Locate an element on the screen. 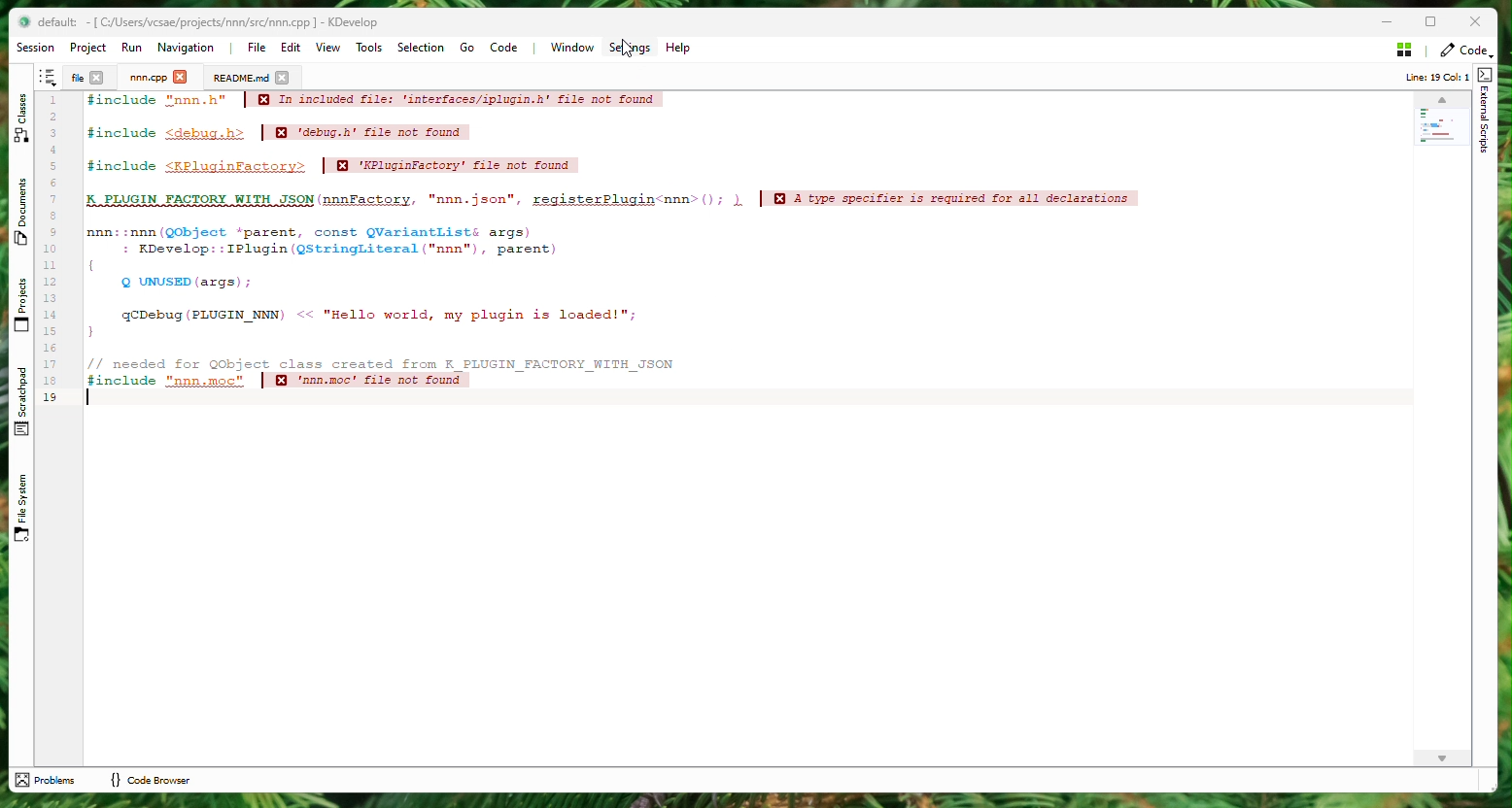 Image resolution: width=1512 pixels, height=808 pixels. Settings is located at coordinates (629, 48).